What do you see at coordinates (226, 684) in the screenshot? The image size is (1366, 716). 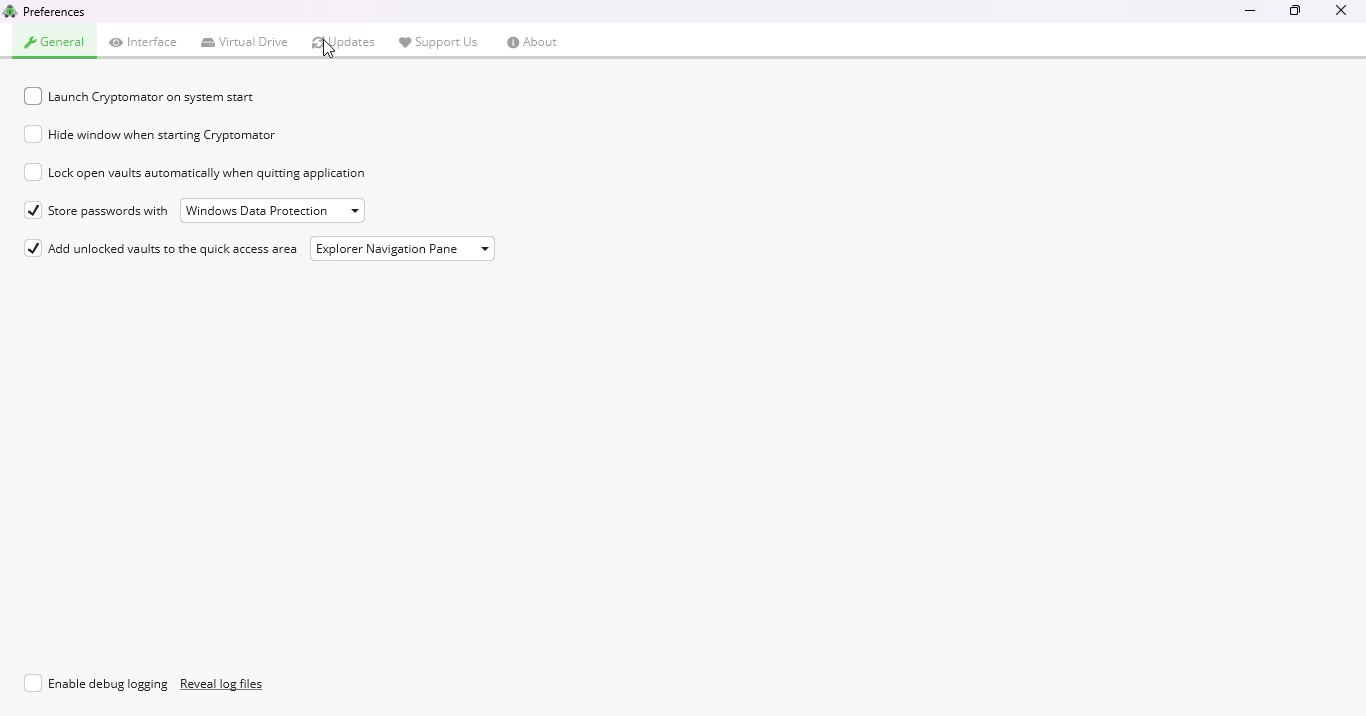 I see `reveal log files` at bounding box center [226, 684].